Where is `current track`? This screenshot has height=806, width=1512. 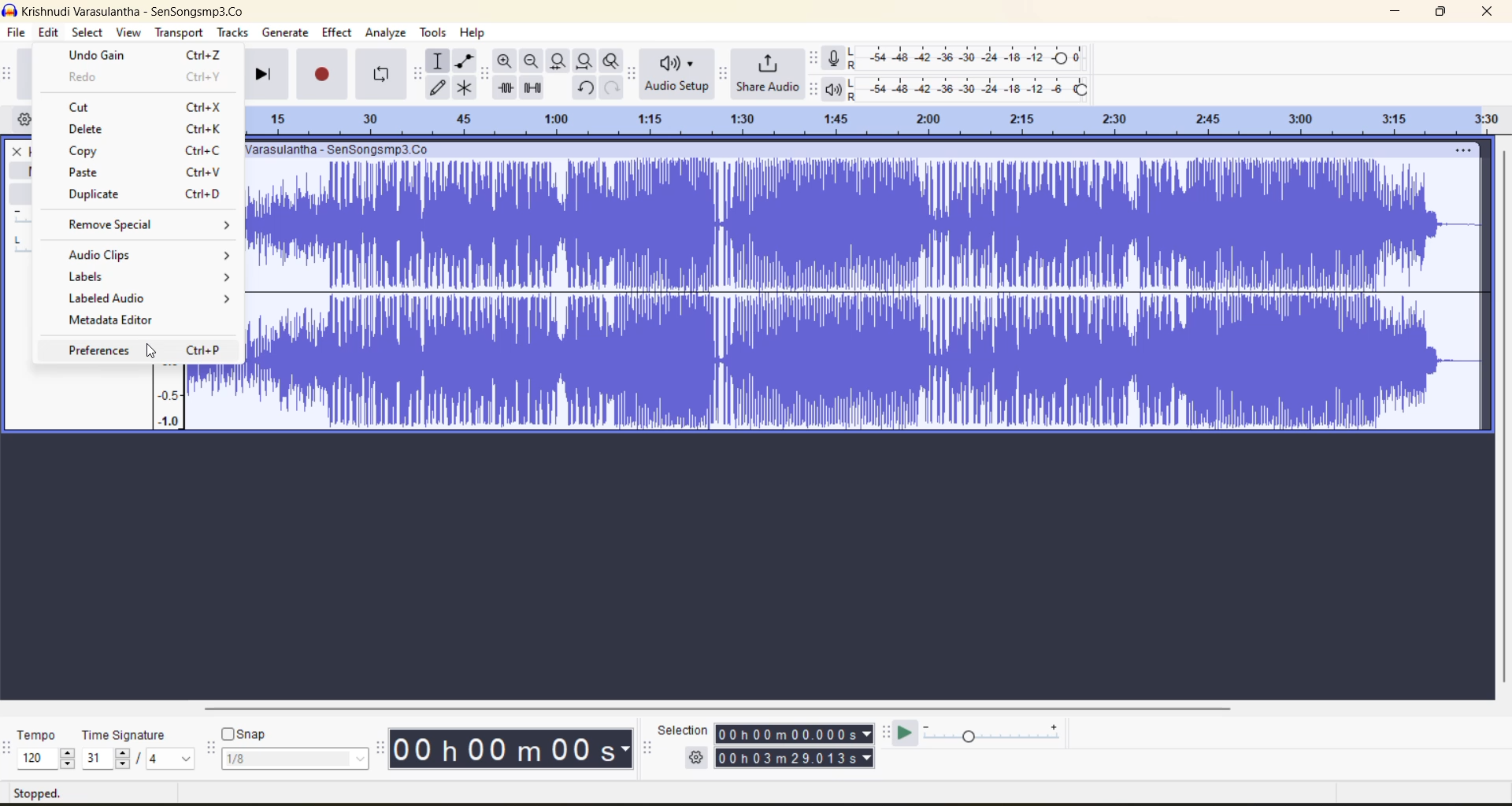 current track is located at coordinates (868, 298).